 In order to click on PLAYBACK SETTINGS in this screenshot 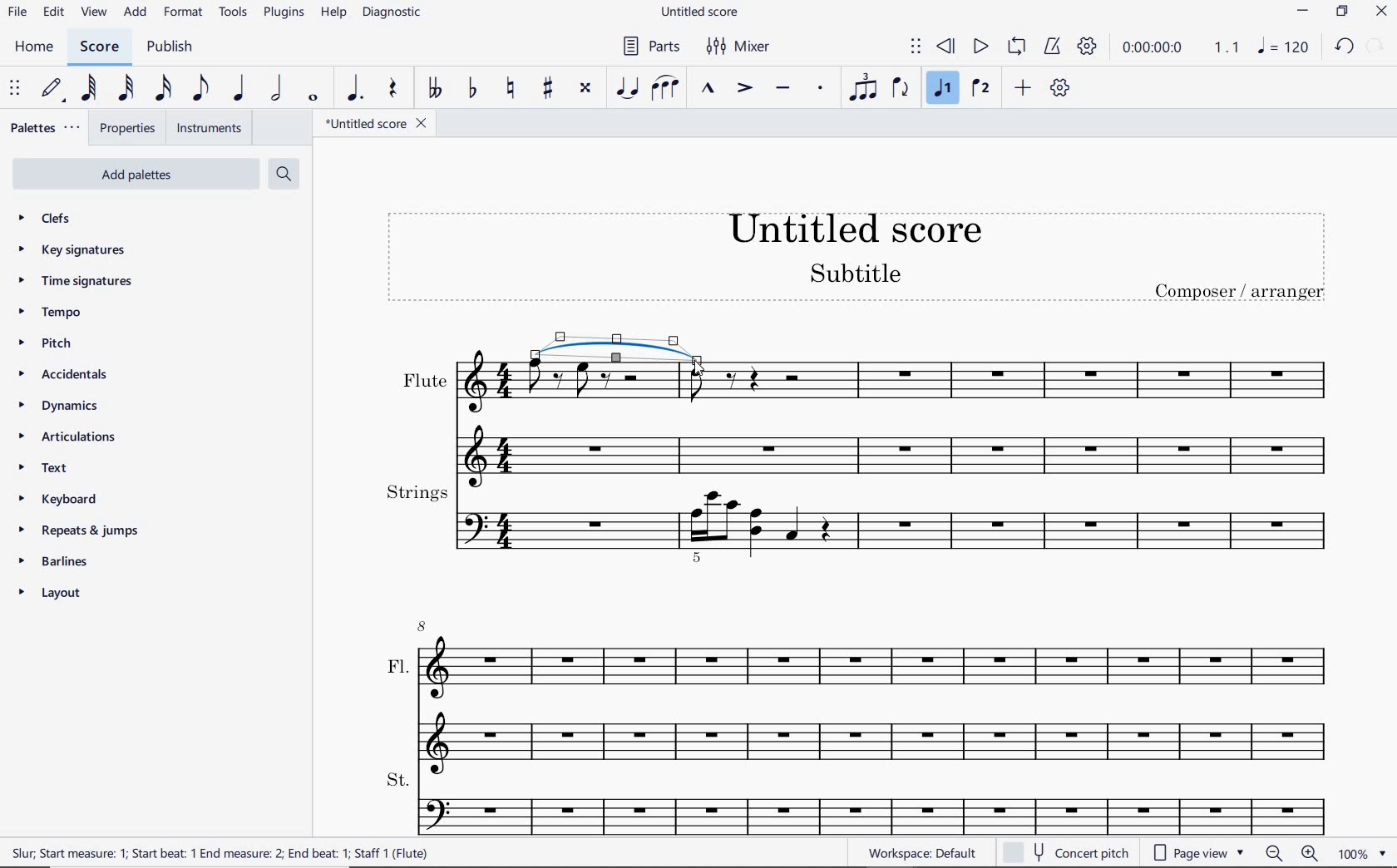, I will do `click(1090, 48)`.